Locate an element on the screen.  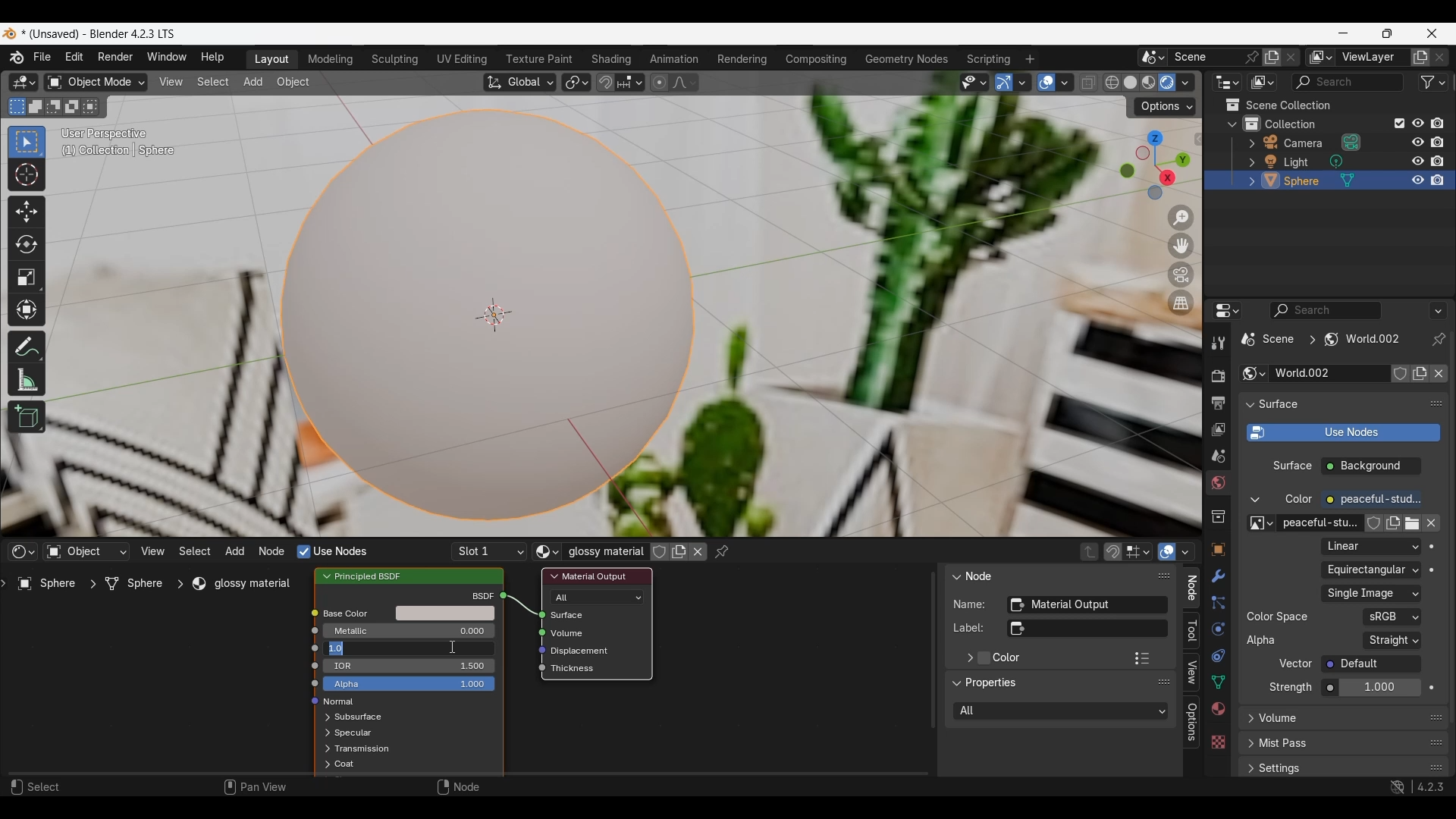
Object constraint properties is located at coordinates (1217, 655).